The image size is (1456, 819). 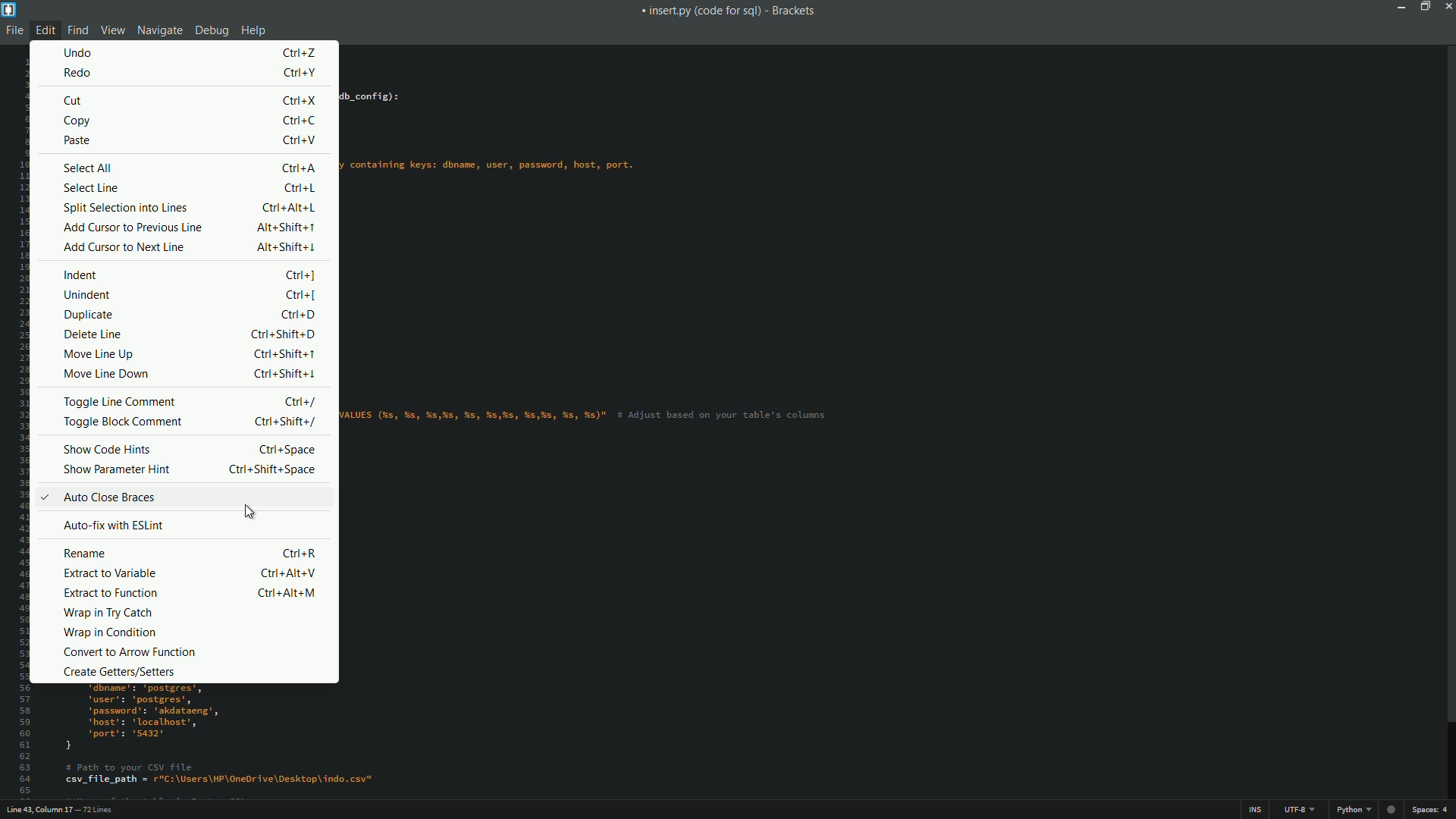 What do you see at coordinates (271, 470) in the screenshot?
I see `keyboard shortcut` at bounding box center [271, 470].